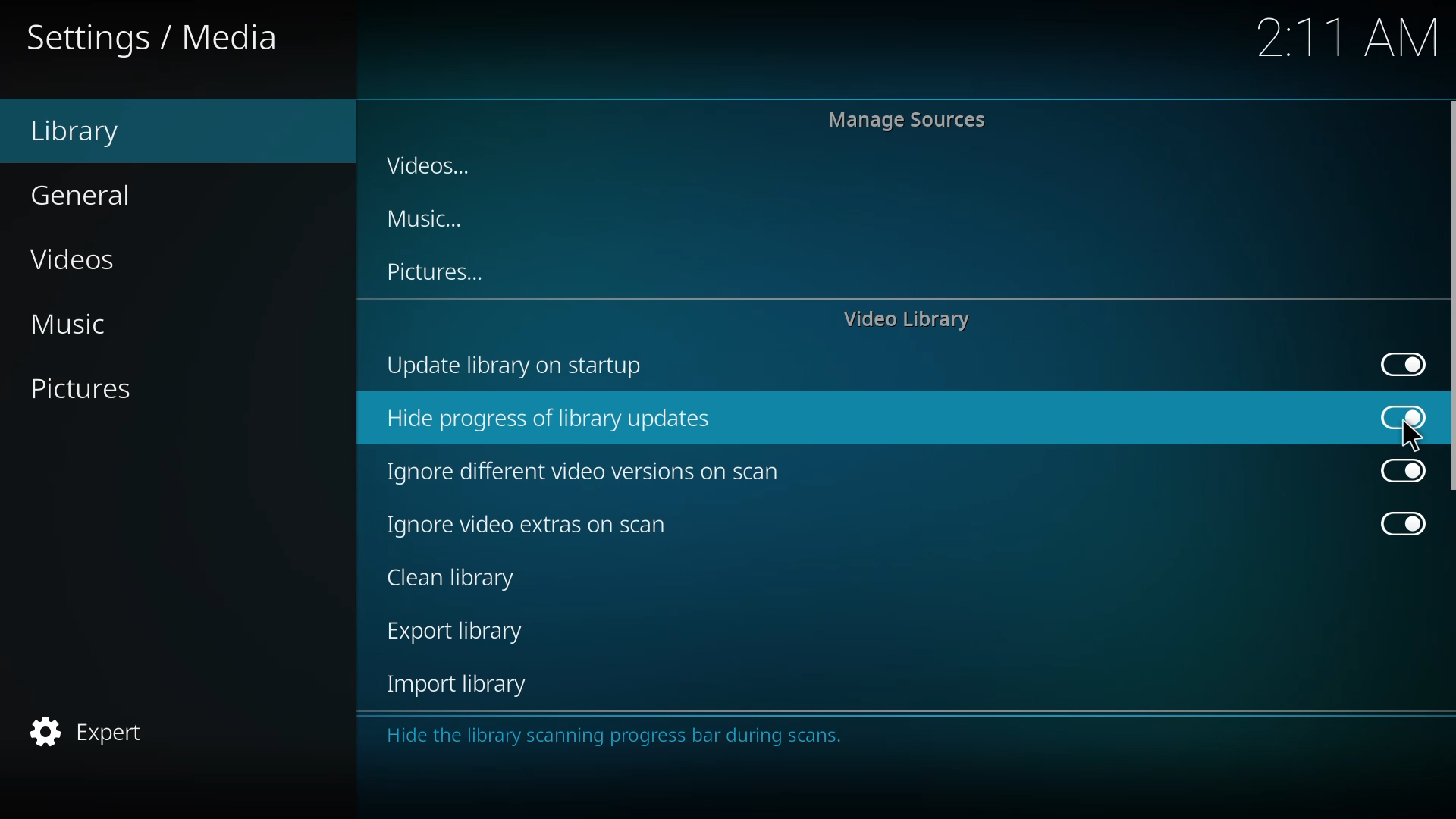  Describe the element at coordinates (560, 416) in the screenshot. I see `hide progress of library updates` at that location.